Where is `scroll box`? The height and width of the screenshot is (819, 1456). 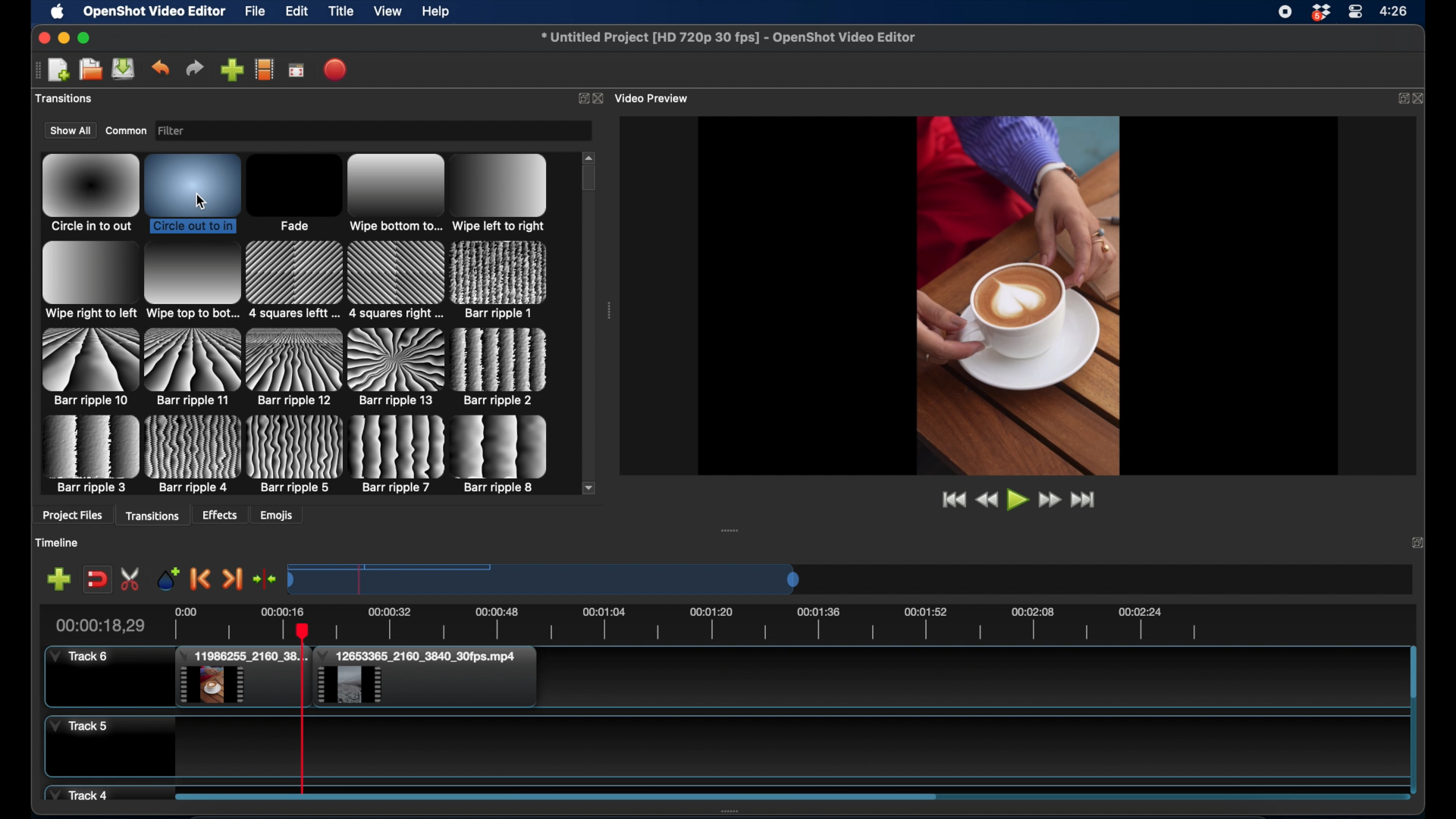
scroll box is located at coordinates (590, 180).